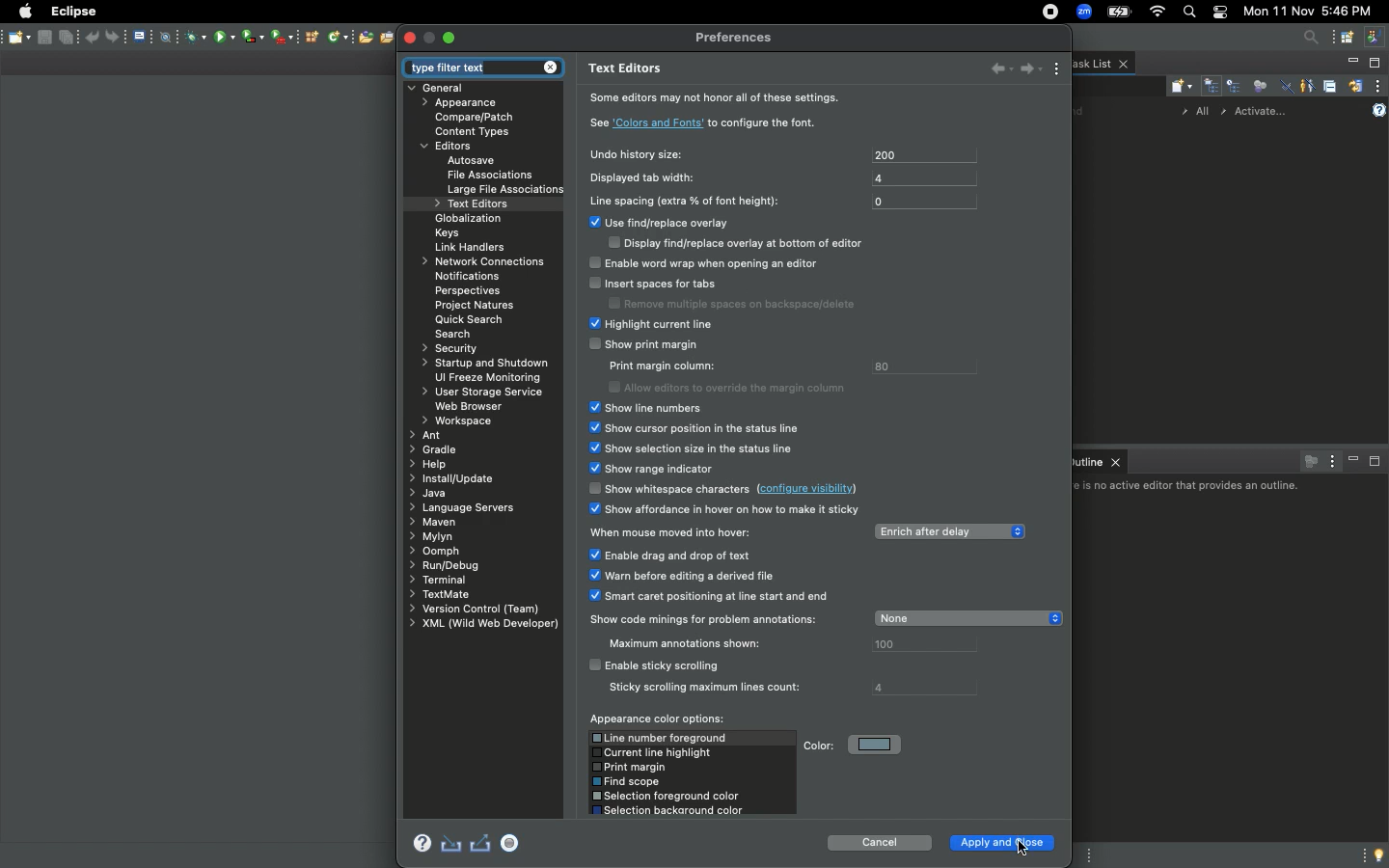  Describe the element at coordinates (712, 263) in the screenshot. I see `Enable word wrap when opening an editor` at that location.